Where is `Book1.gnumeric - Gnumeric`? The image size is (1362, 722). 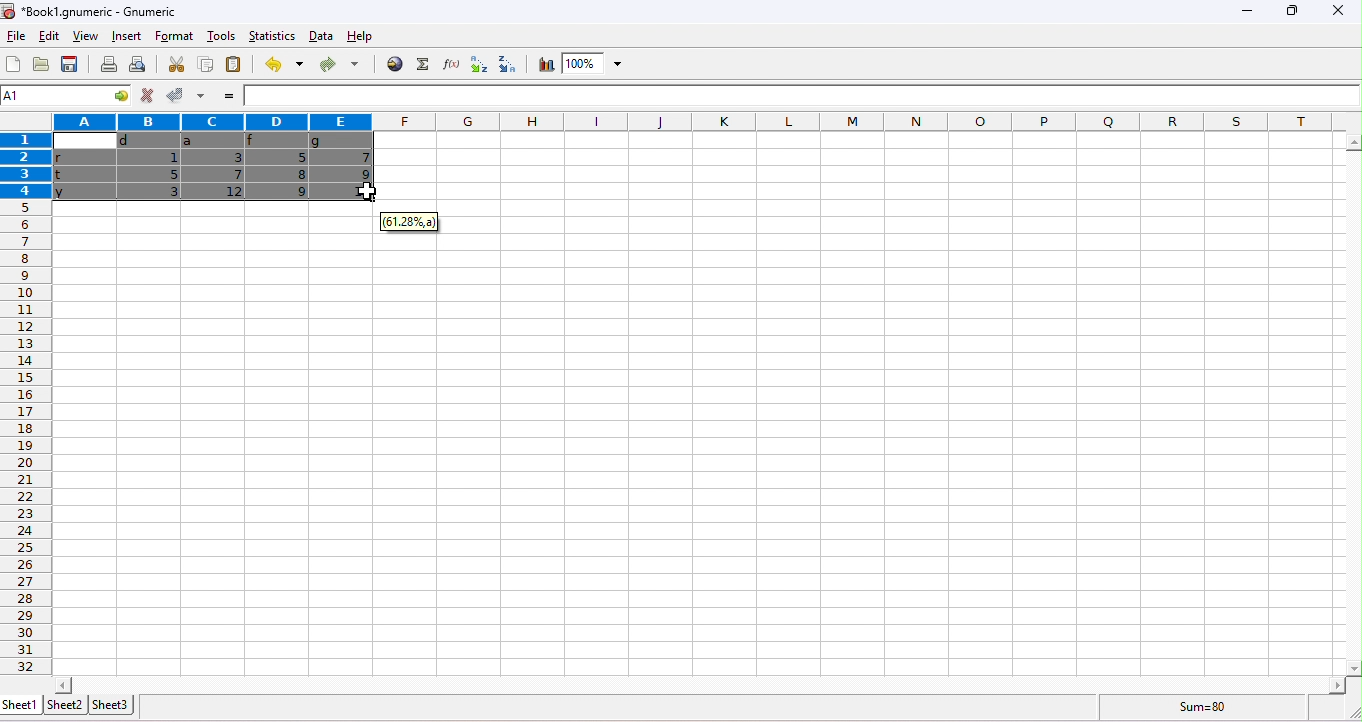 Book1.gnumeric - Gnumeric is located at coordinates (92, 11).